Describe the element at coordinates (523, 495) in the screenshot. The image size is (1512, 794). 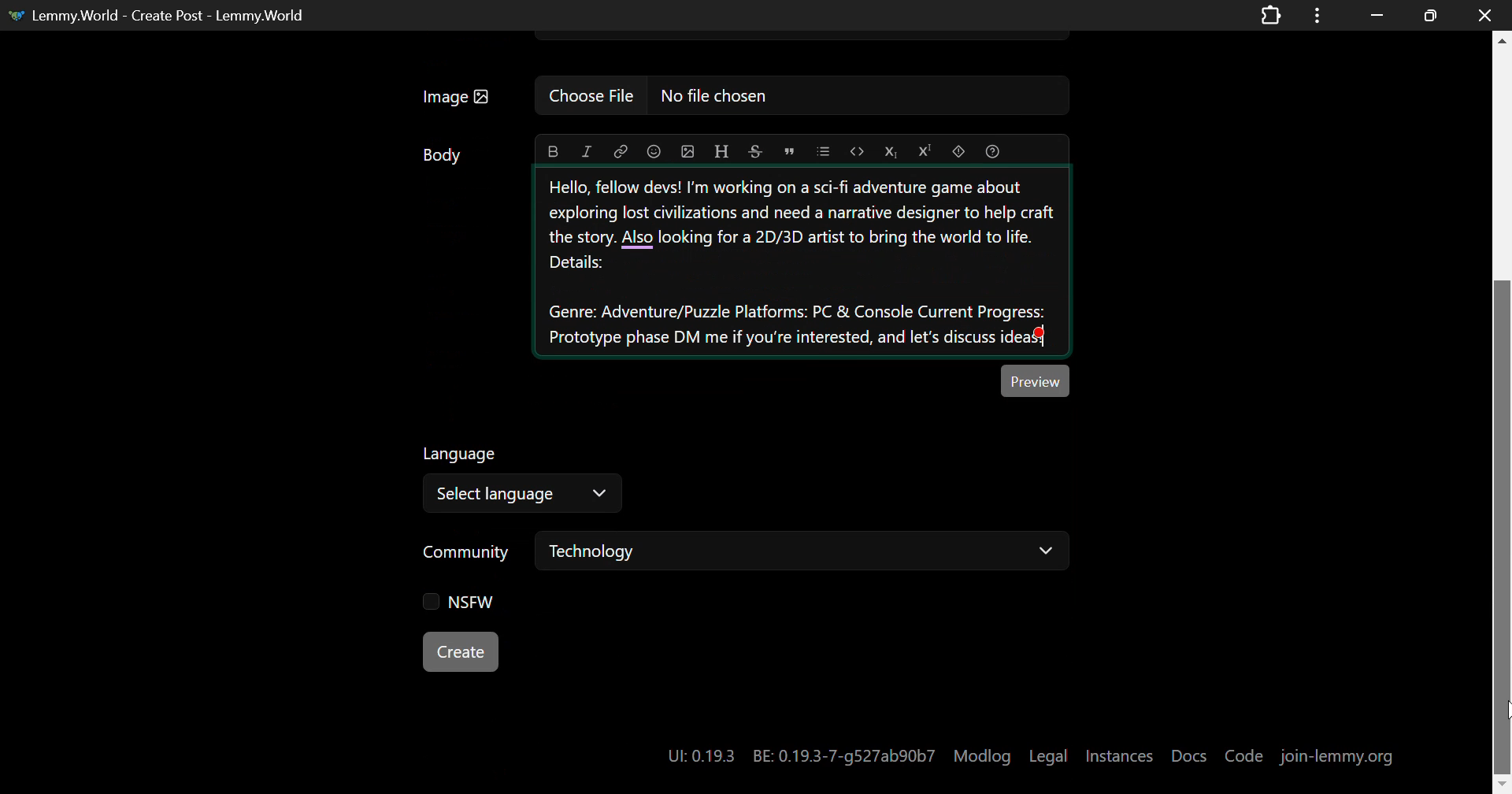
I see `Select Language` at that location.